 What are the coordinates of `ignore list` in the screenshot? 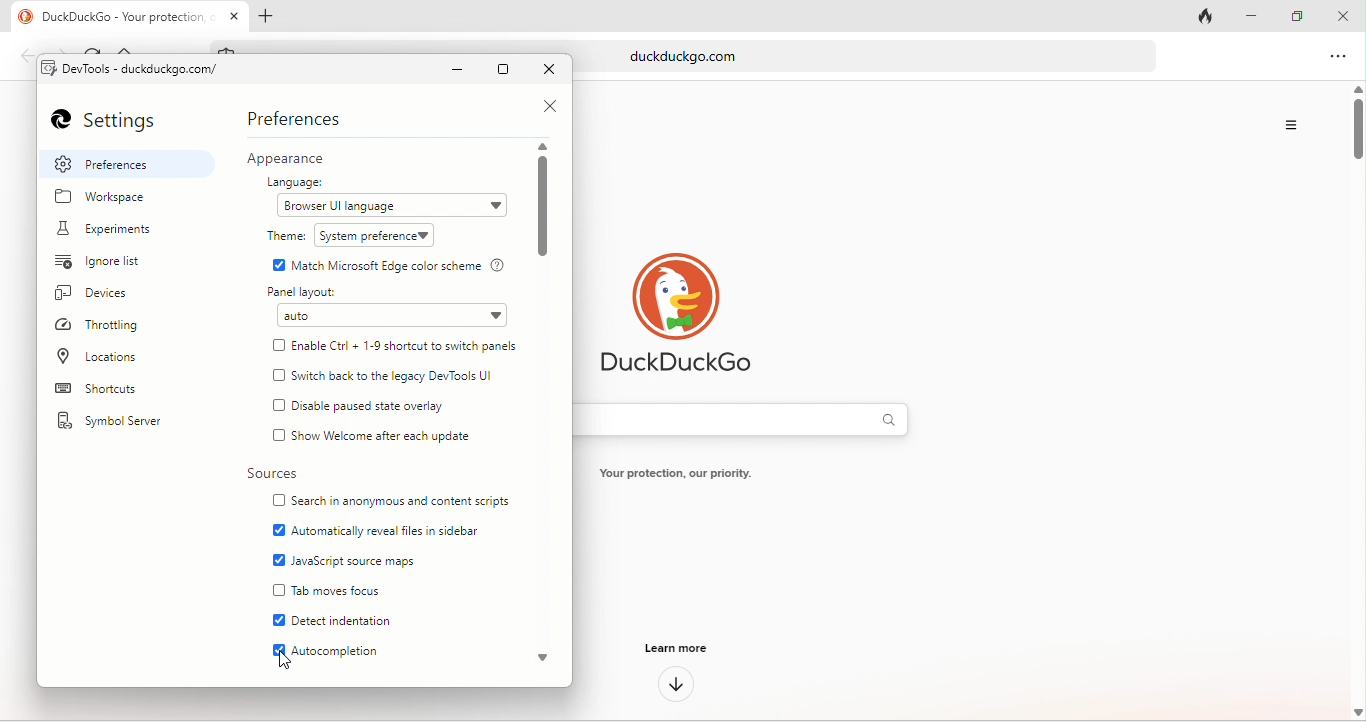 It's located at (111, 264).